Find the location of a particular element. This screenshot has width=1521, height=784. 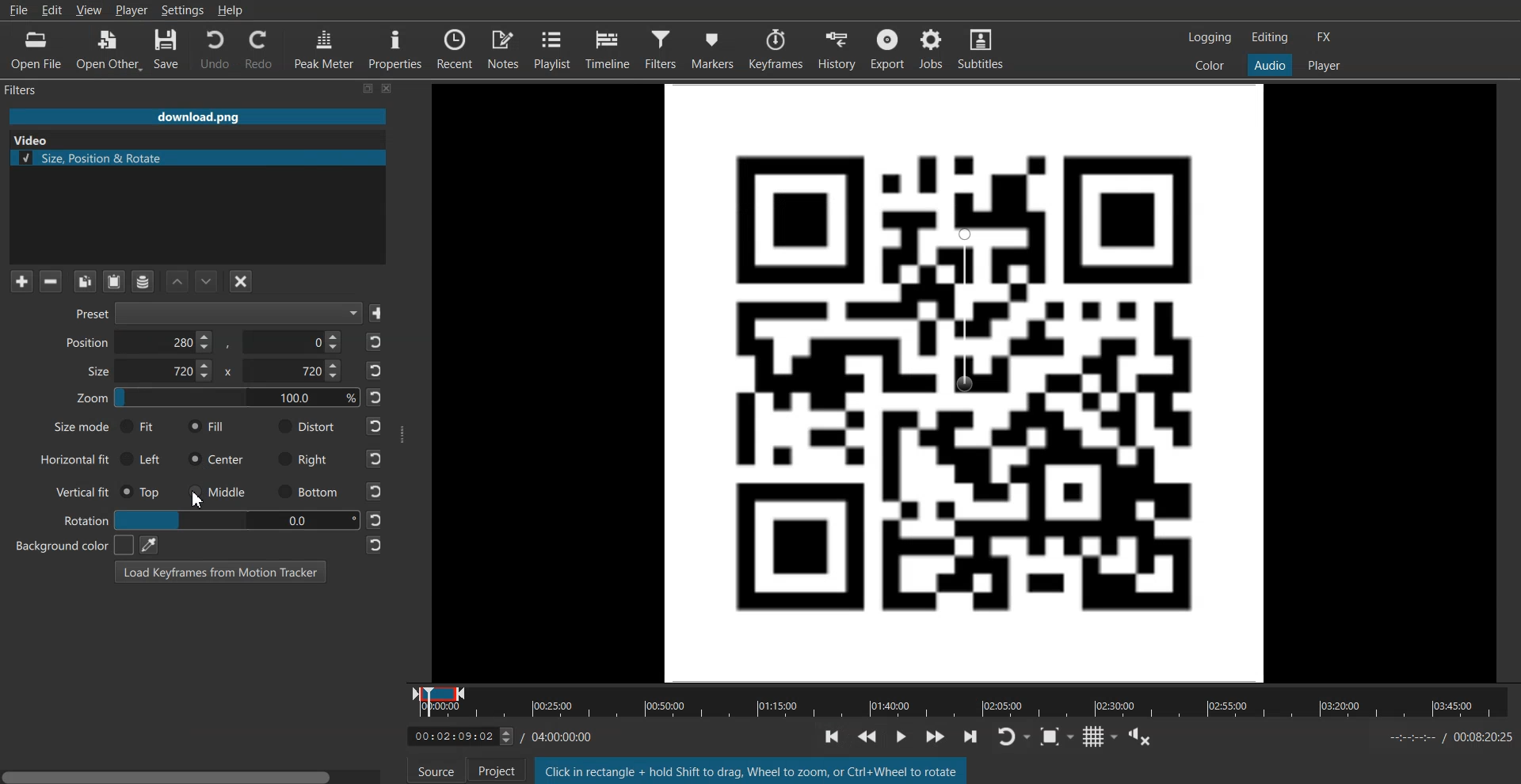

Notes is located at coordinates (504, 48).